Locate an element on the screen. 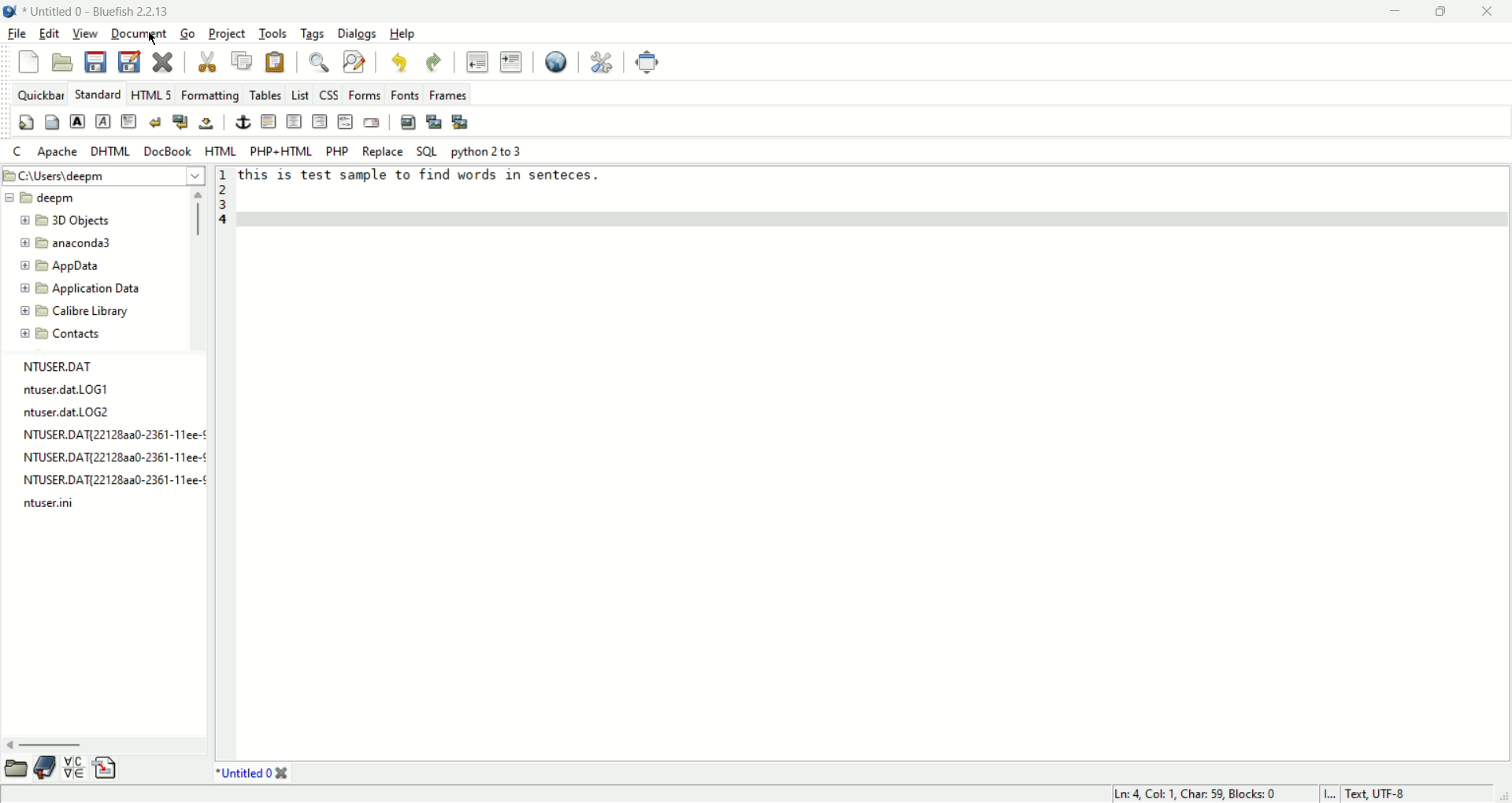  forms is located at coordinates (362, 95).